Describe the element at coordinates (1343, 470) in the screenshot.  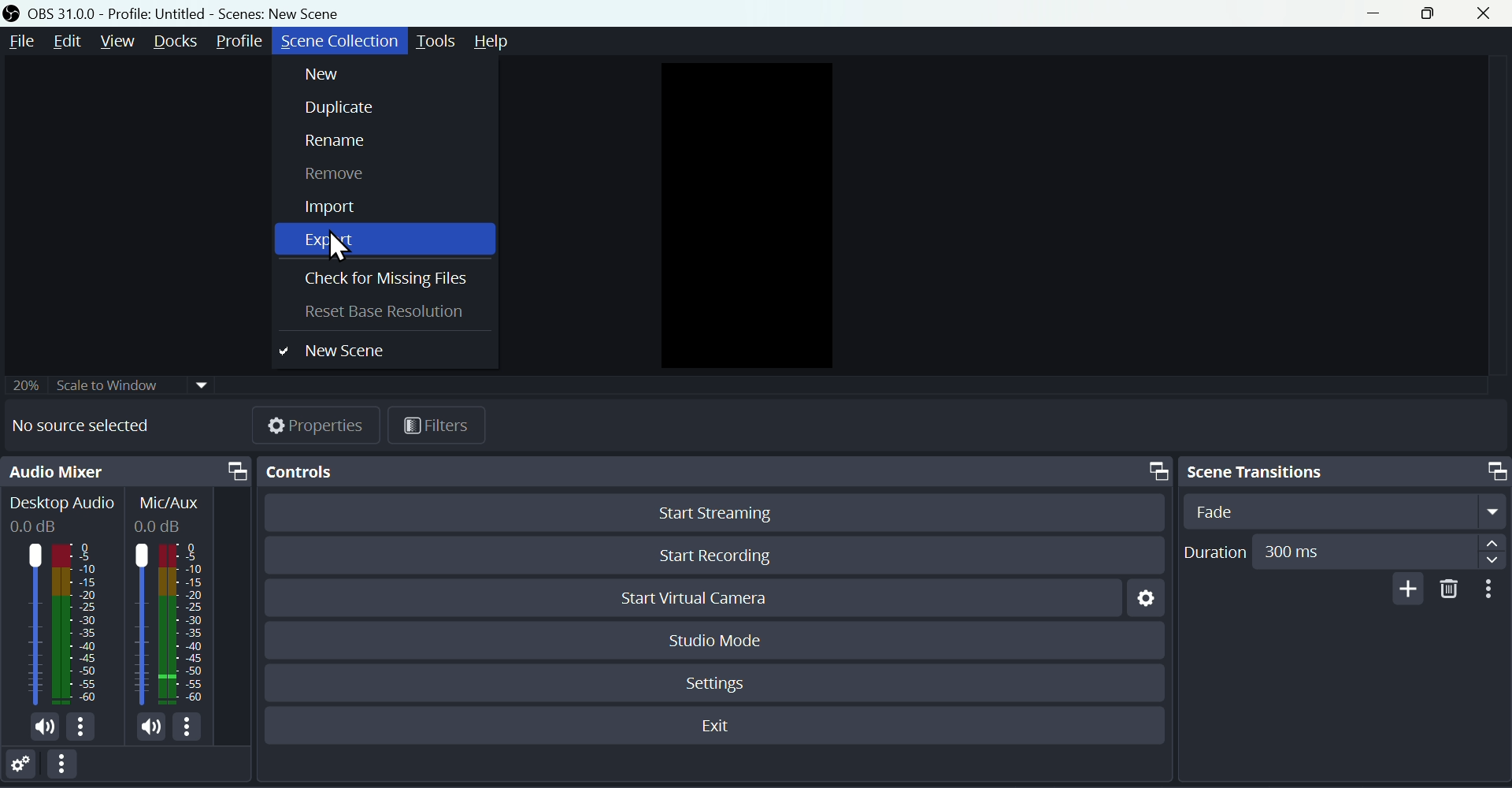
I see `Scene transition` at that location.